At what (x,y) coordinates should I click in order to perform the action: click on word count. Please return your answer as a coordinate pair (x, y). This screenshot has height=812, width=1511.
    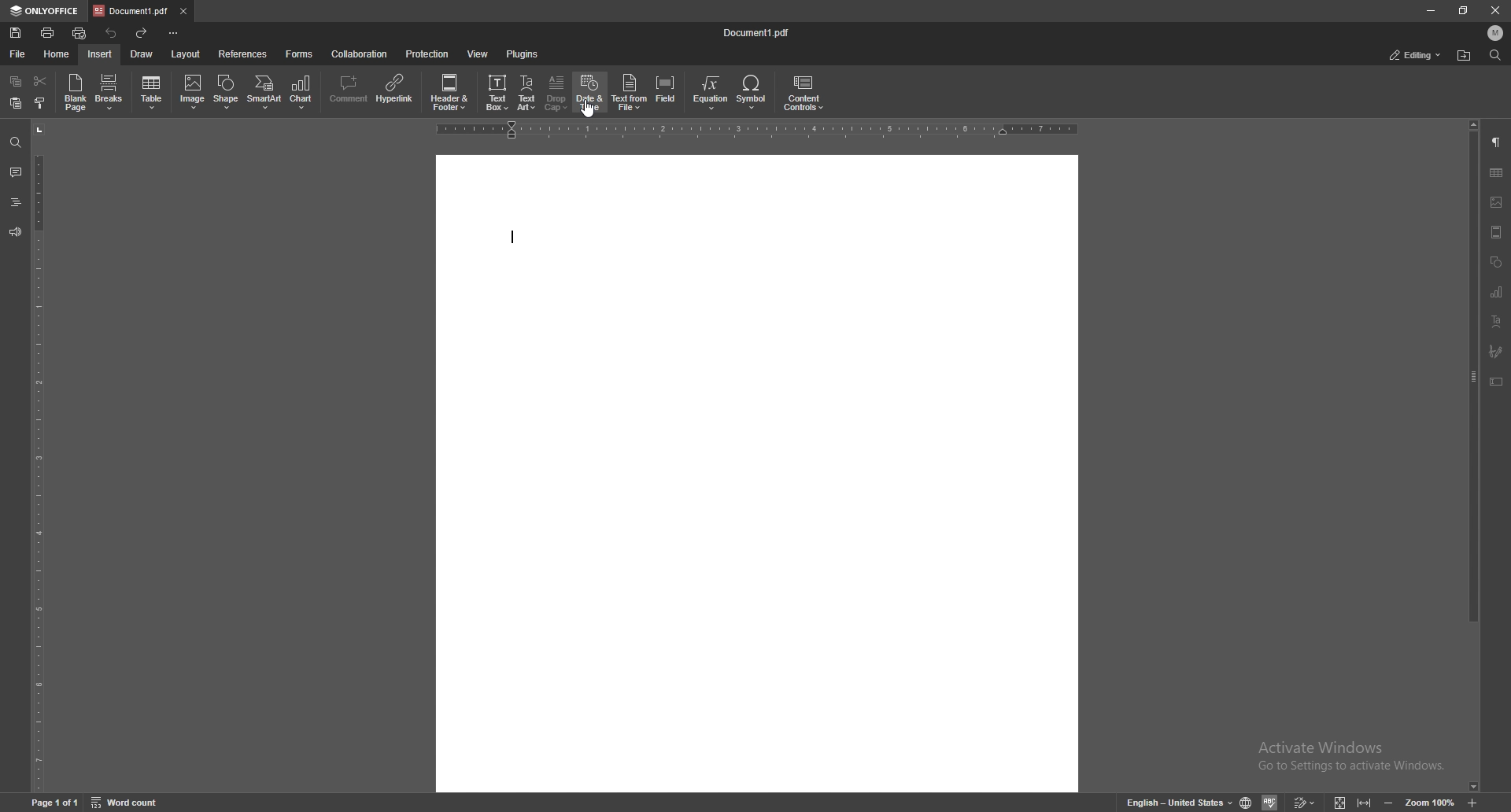
    Looking at the image, I should click on (127, 803).